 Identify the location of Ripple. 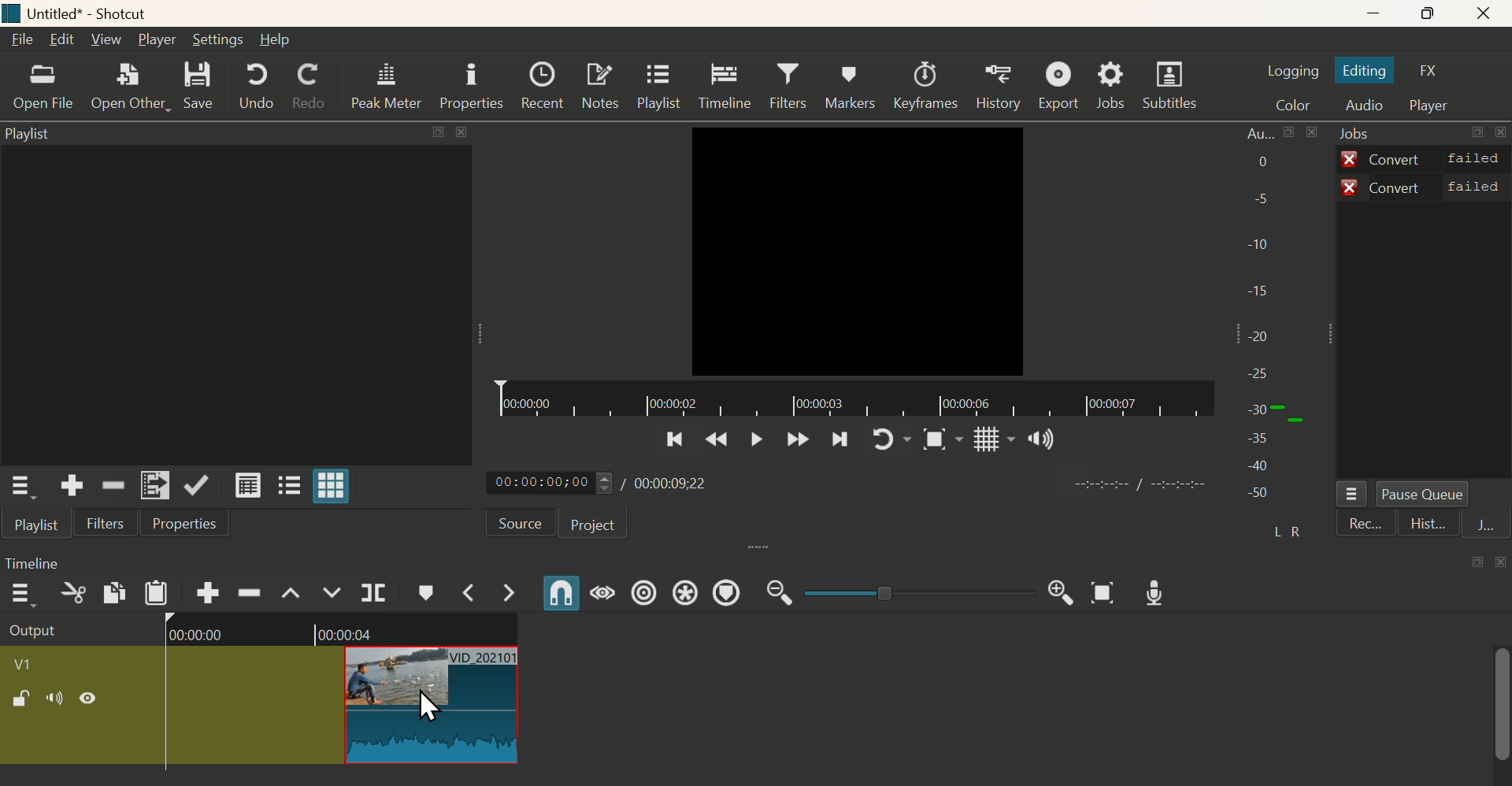
(250, 593).